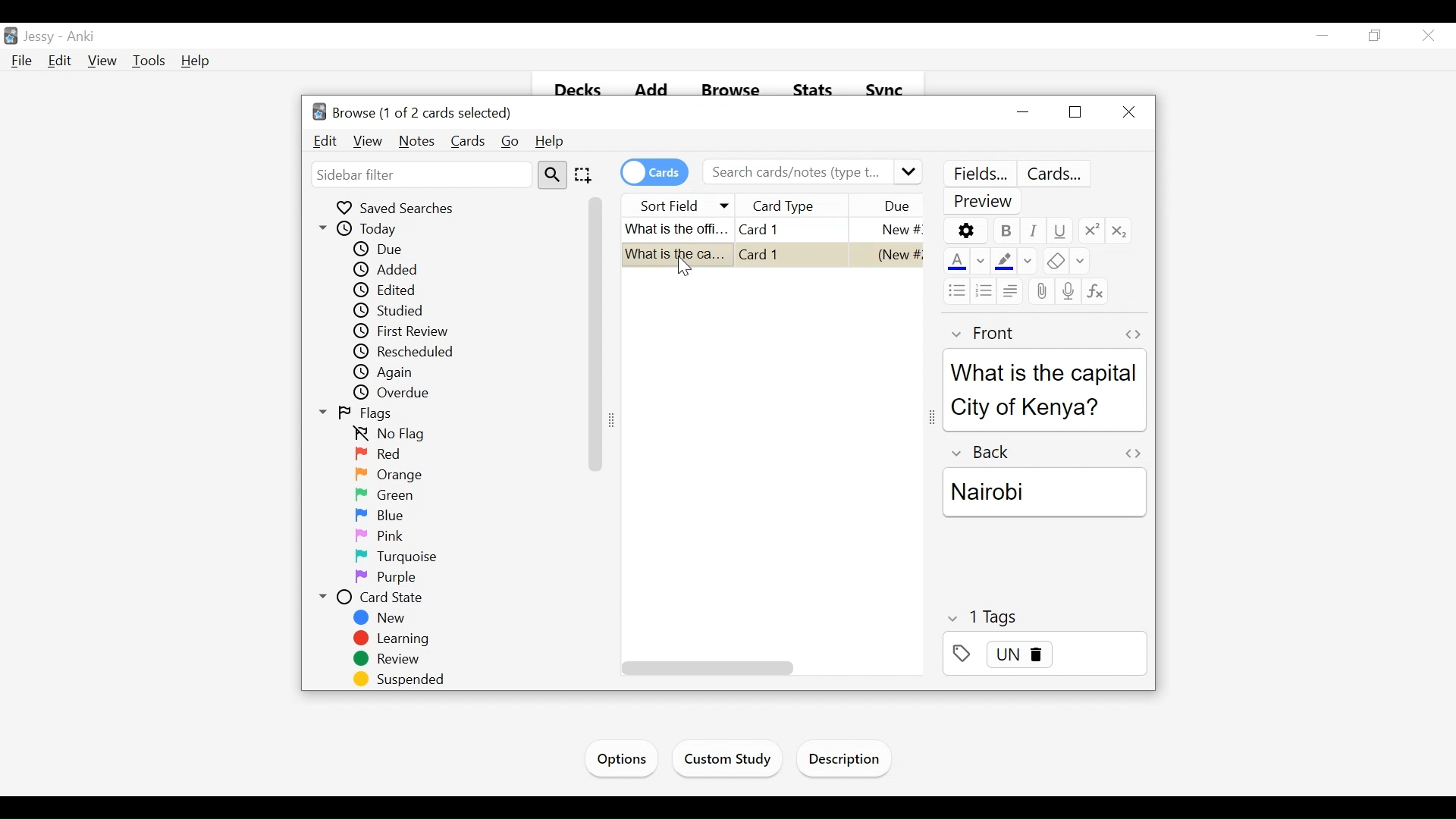 Image resolution: width=1456 pixels, height=819 pixels. What do you see at coordinates (420, 174) in the screenshot?
I see `Sidebar Filter` at bounding box center [420, 174].